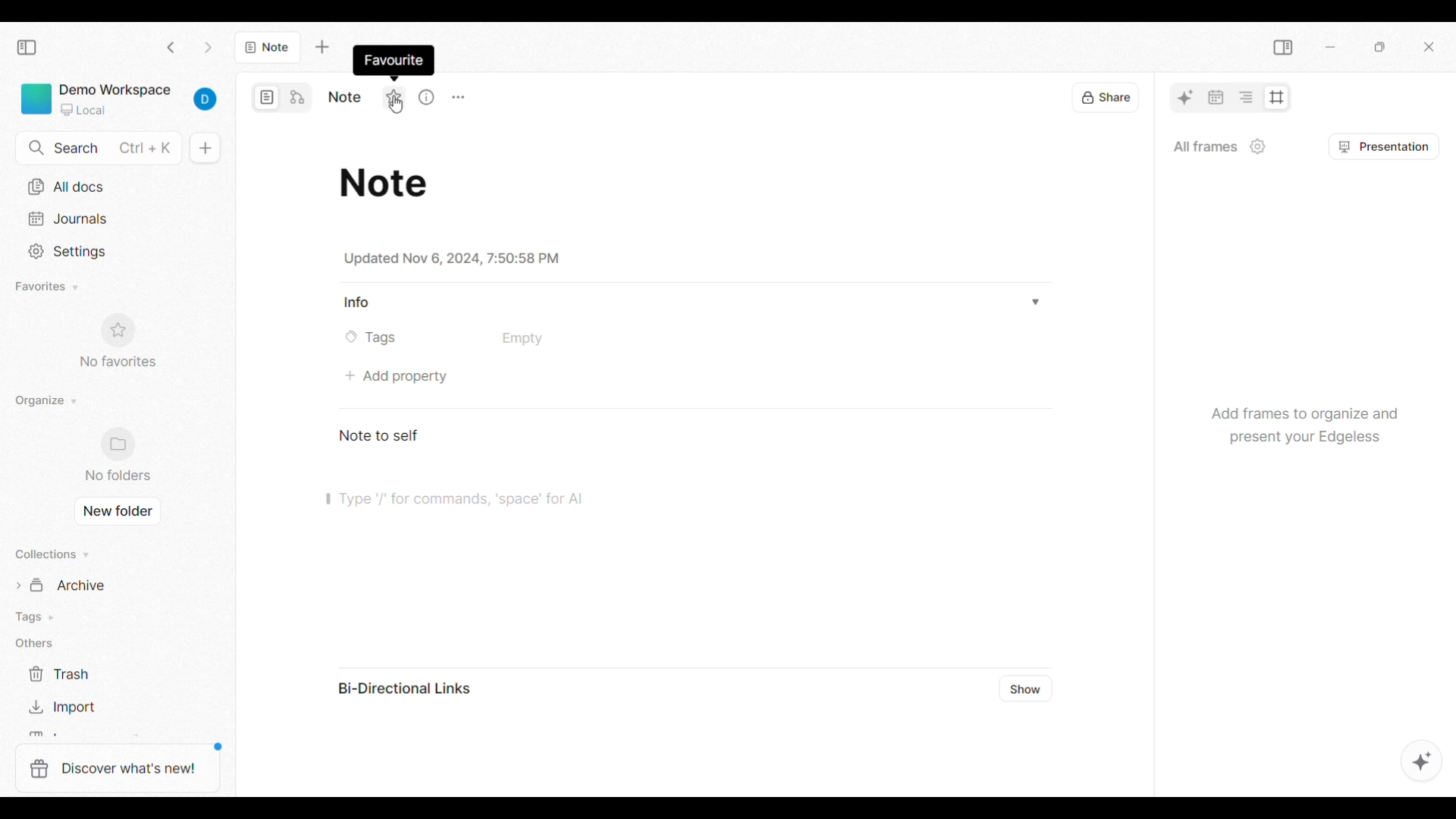 This screenshot has width=1456, height=819. What do you see at coordinates (297, 98) in the screenshot?
I see `Switch to another edit mode` at bounding box center [297, 98].